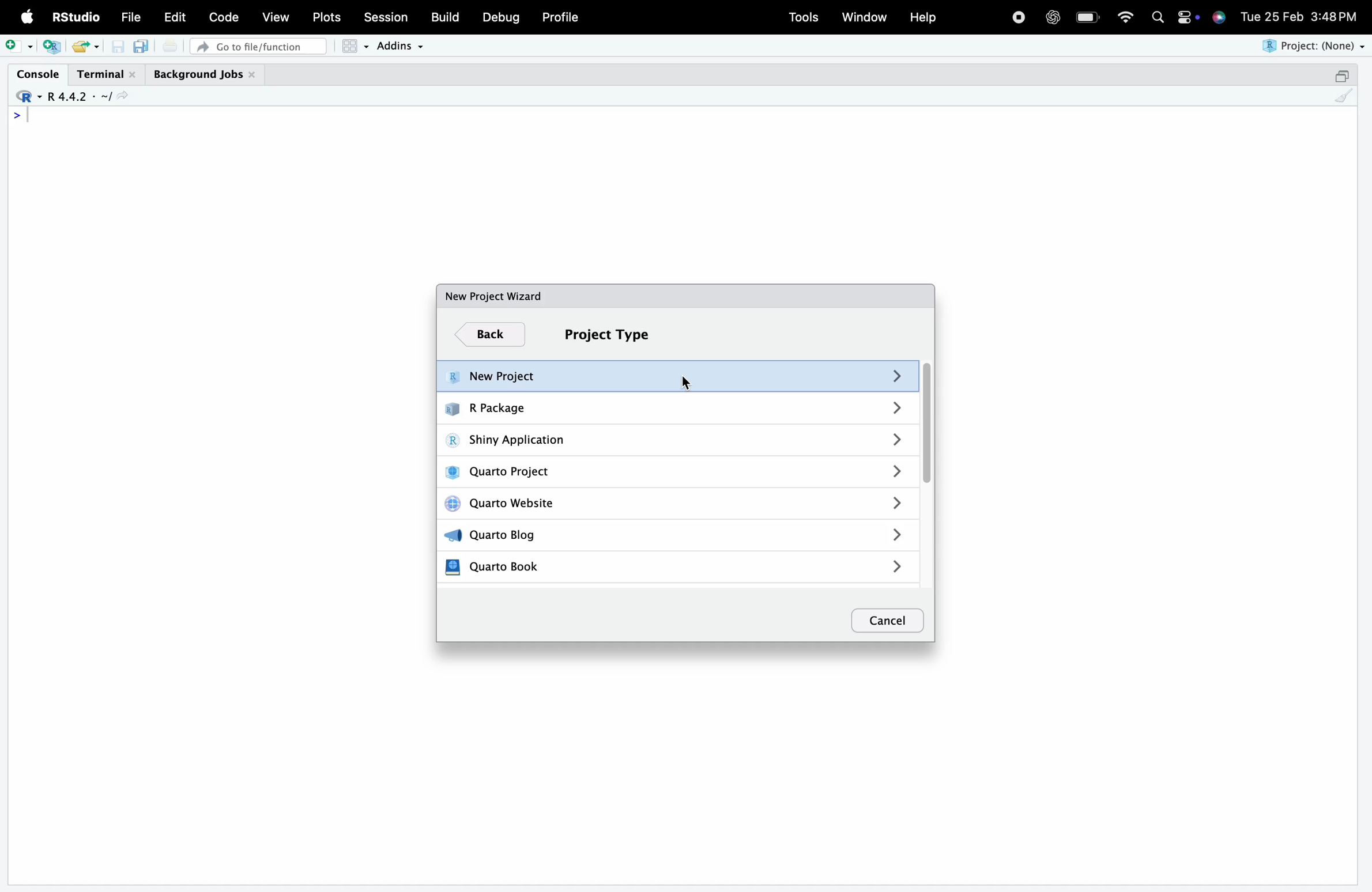 The width and height of the screenshot is (1372, 892). Describe the element at coordinates (608, 335) in the screenshot. I see `Project Type` at that location.